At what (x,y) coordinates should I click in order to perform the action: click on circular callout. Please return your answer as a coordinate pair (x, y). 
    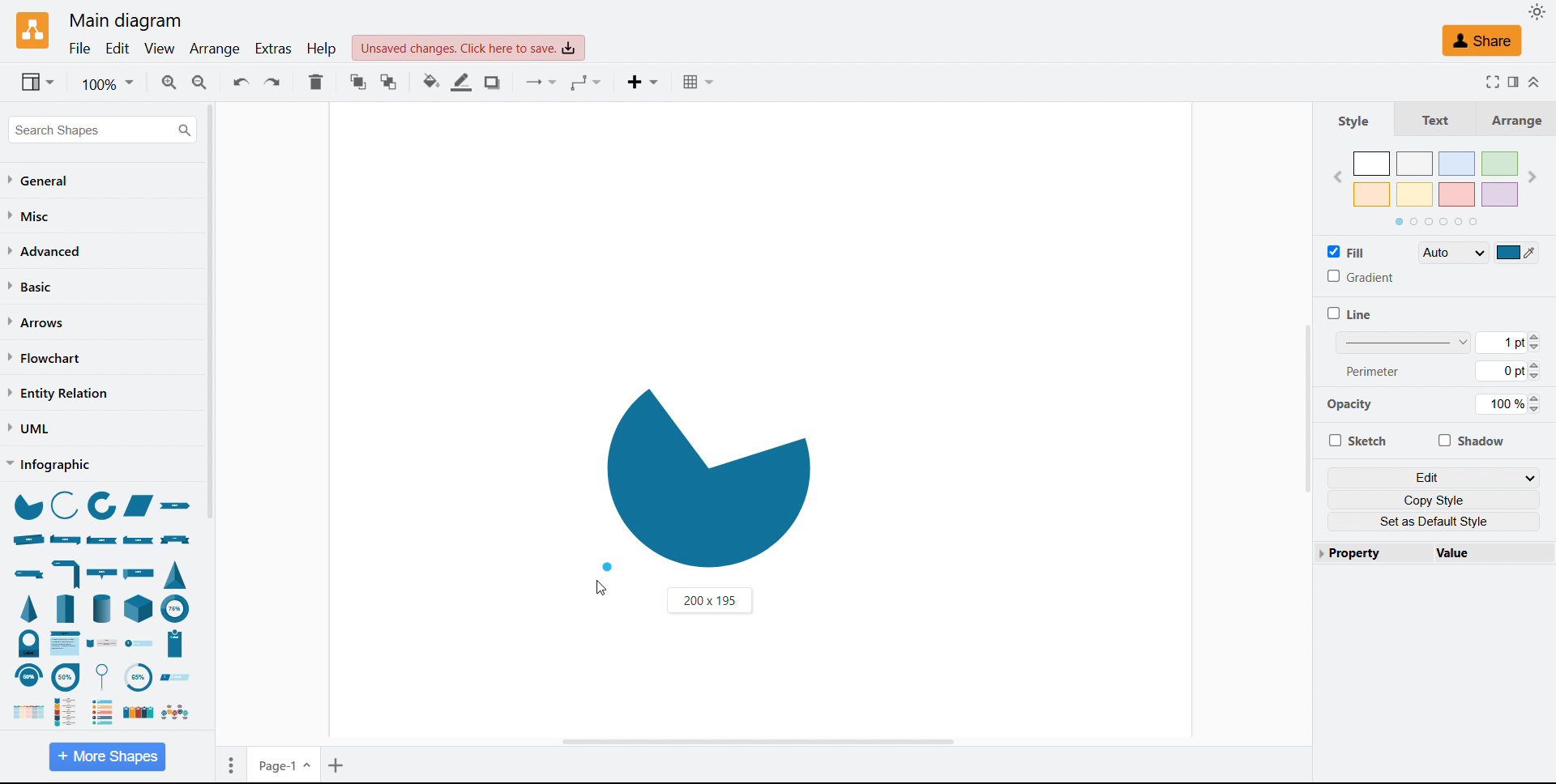
    Looking at the image, I should click on (106, 676).